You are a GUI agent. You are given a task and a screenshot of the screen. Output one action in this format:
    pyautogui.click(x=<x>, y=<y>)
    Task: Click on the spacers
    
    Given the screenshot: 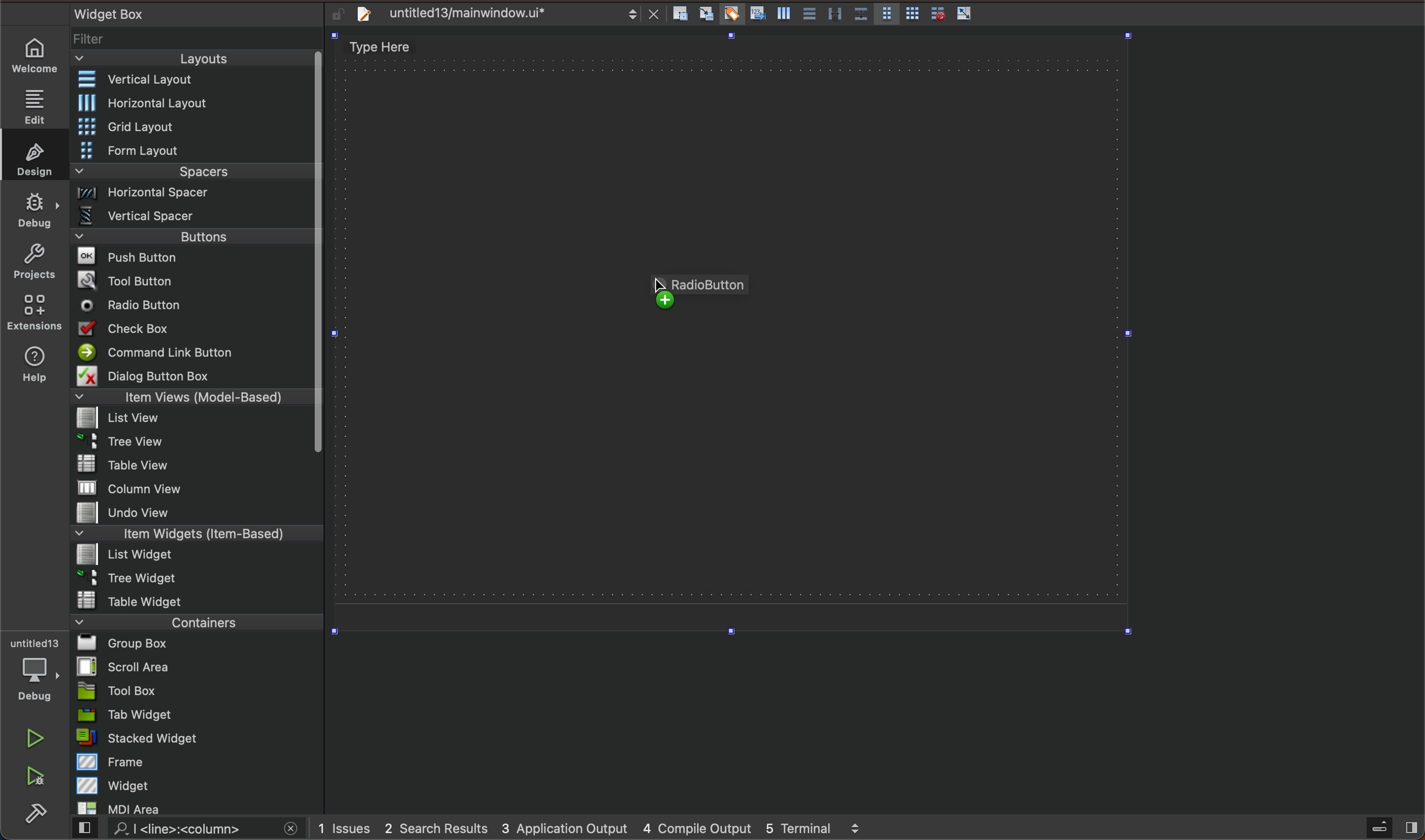 What is the action you would take?
    pyautogui.click(x=194, y=175)
    